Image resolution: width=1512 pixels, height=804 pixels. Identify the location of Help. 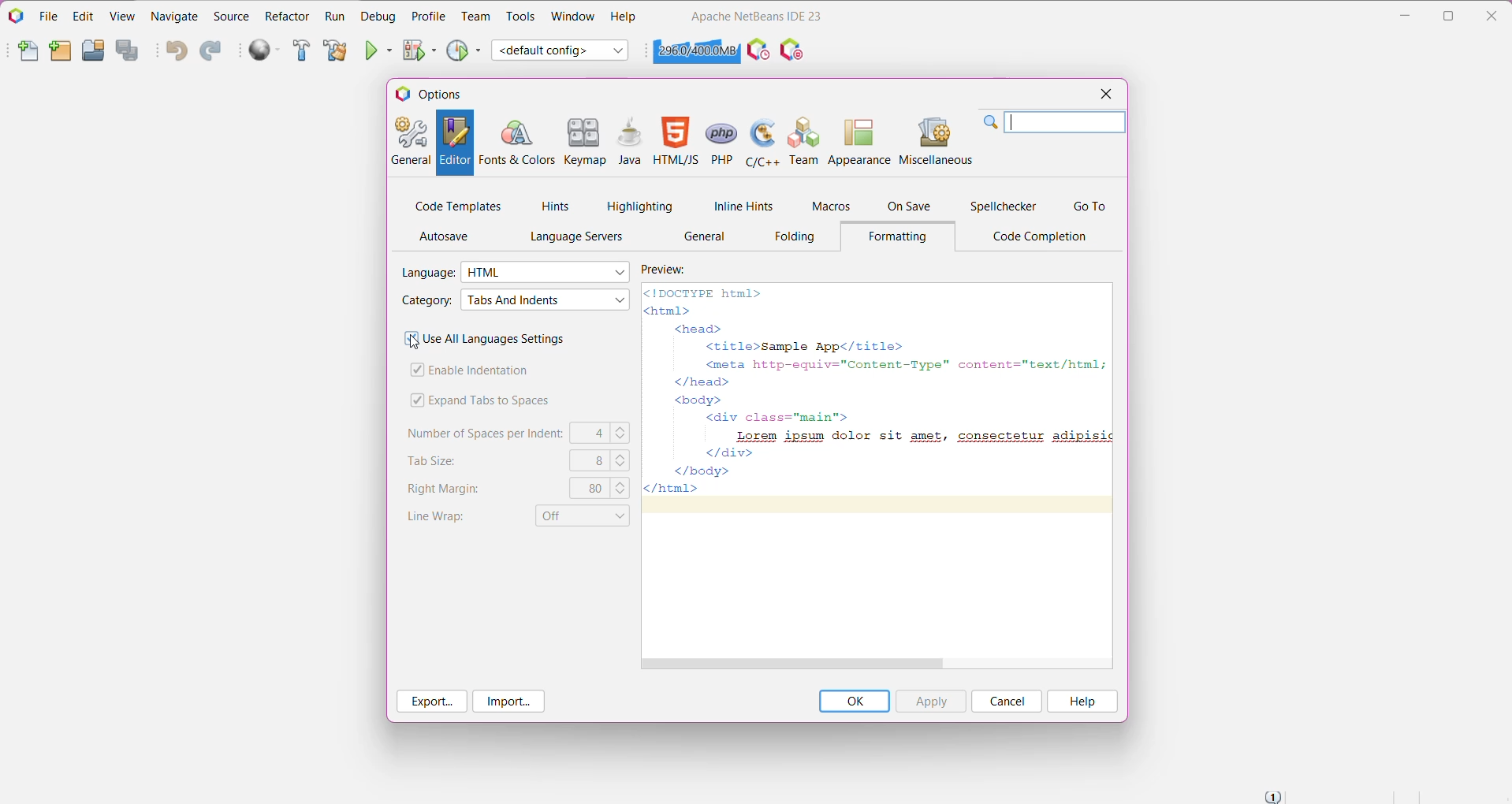
(1082, 702).